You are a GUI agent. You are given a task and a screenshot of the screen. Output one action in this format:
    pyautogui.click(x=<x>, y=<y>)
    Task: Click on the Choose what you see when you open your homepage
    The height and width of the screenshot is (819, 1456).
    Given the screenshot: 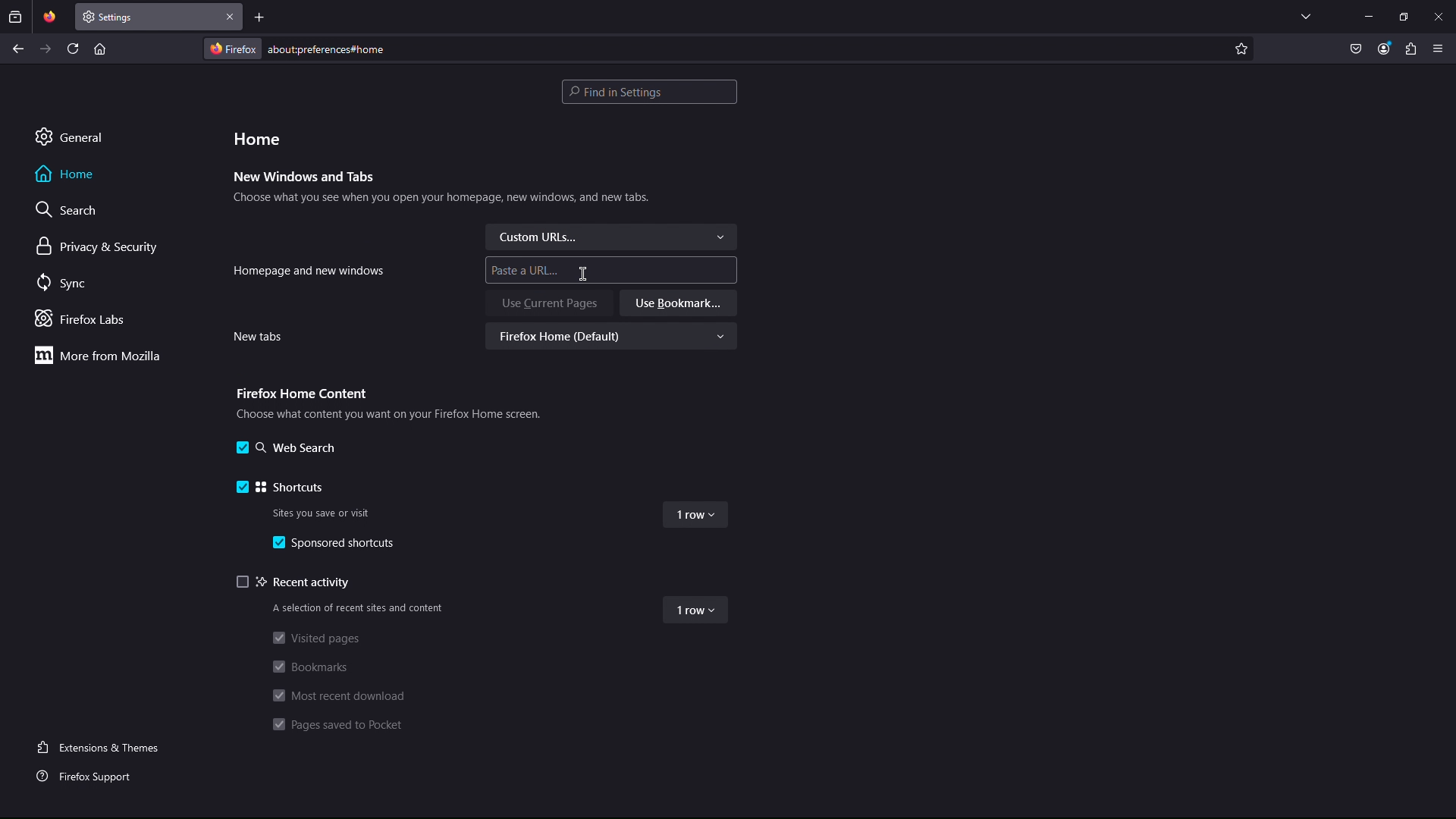 What is the action you would take?
    pyautogui.click(x=441, y=200)
    